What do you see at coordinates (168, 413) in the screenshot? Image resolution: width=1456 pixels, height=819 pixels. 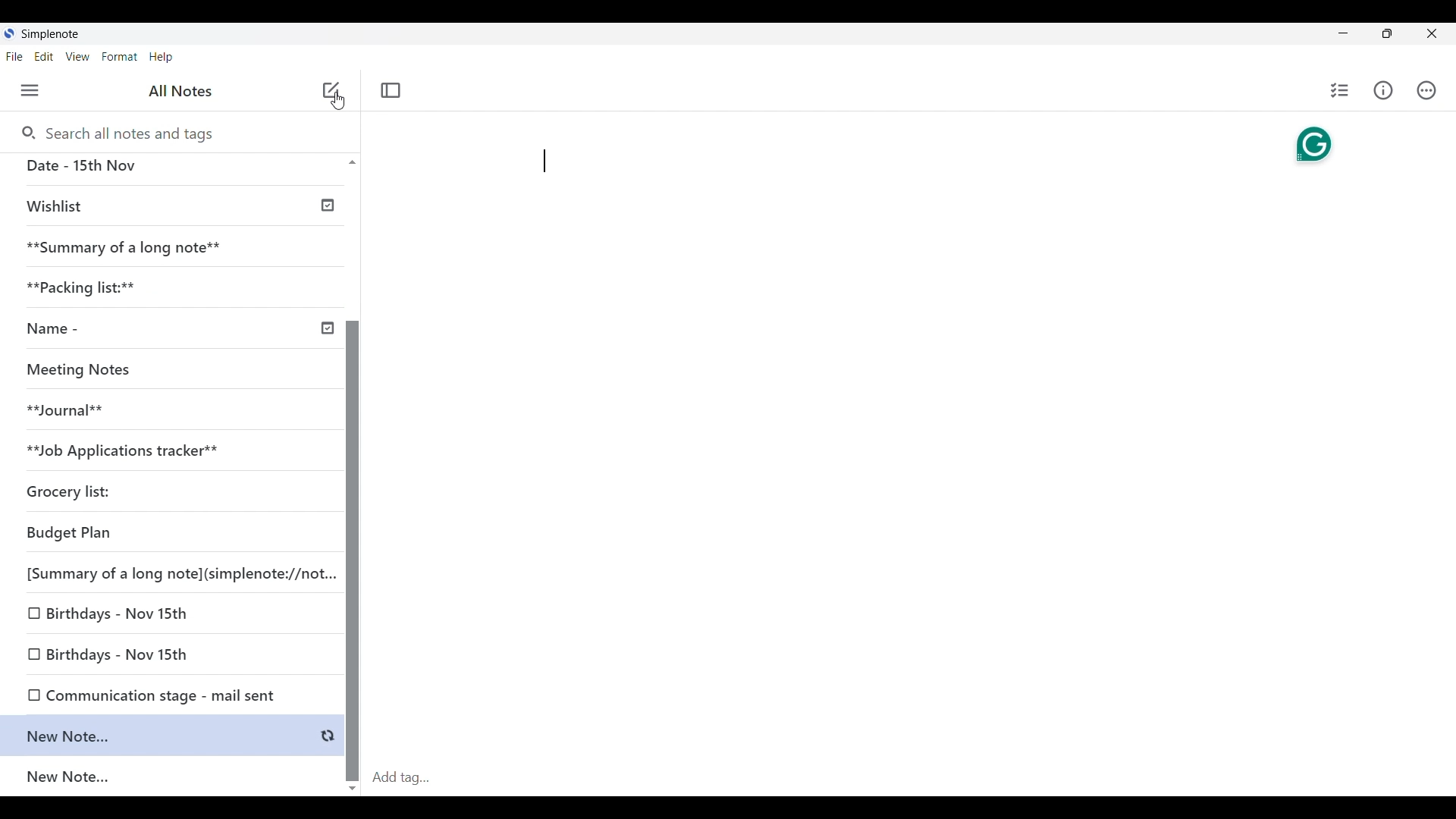 I see `**Journal**` at bounding box center [168, 413].